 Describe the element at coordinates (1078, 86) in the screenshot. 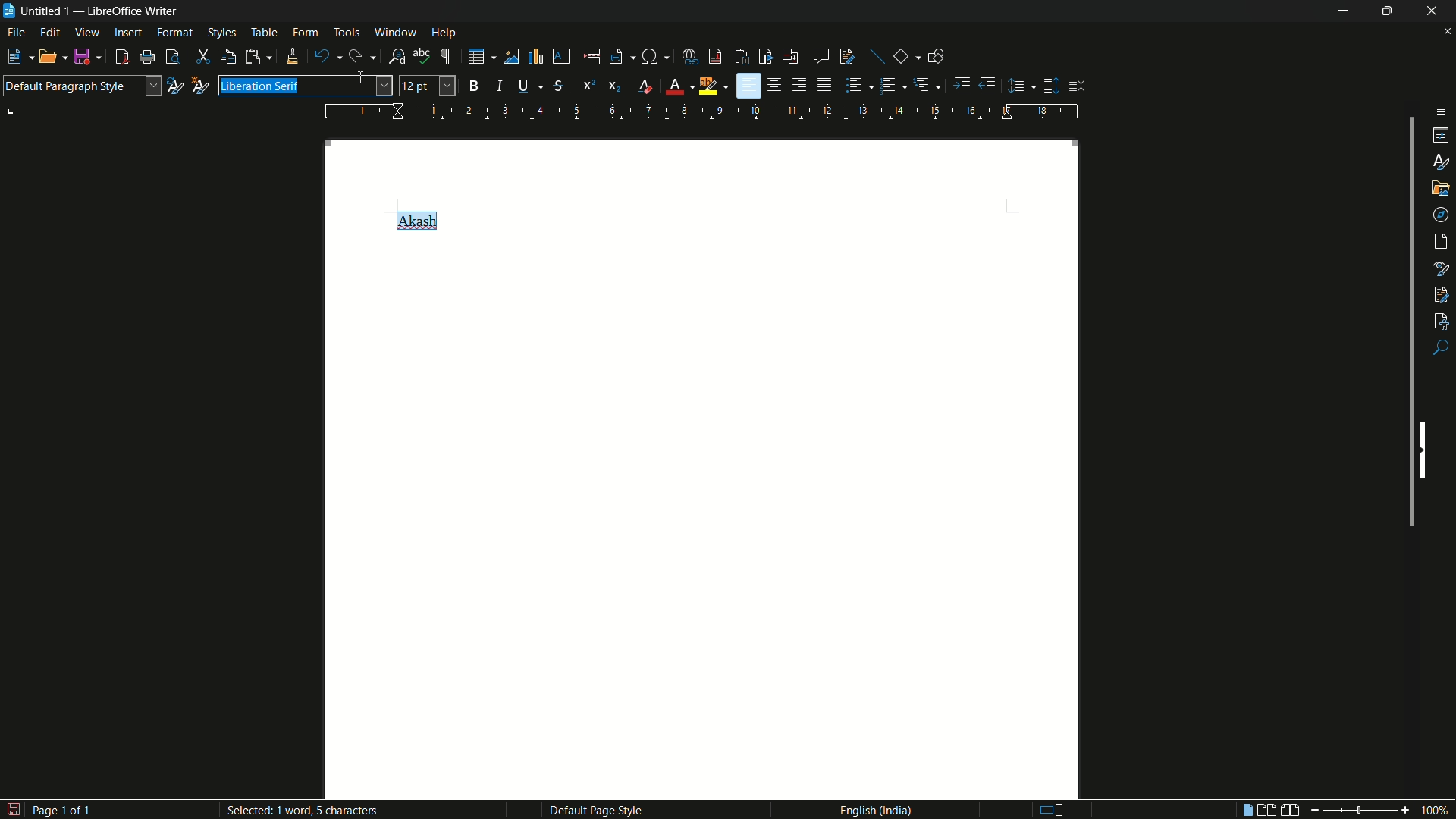

I see `decrease paragraph spacing` at that location.